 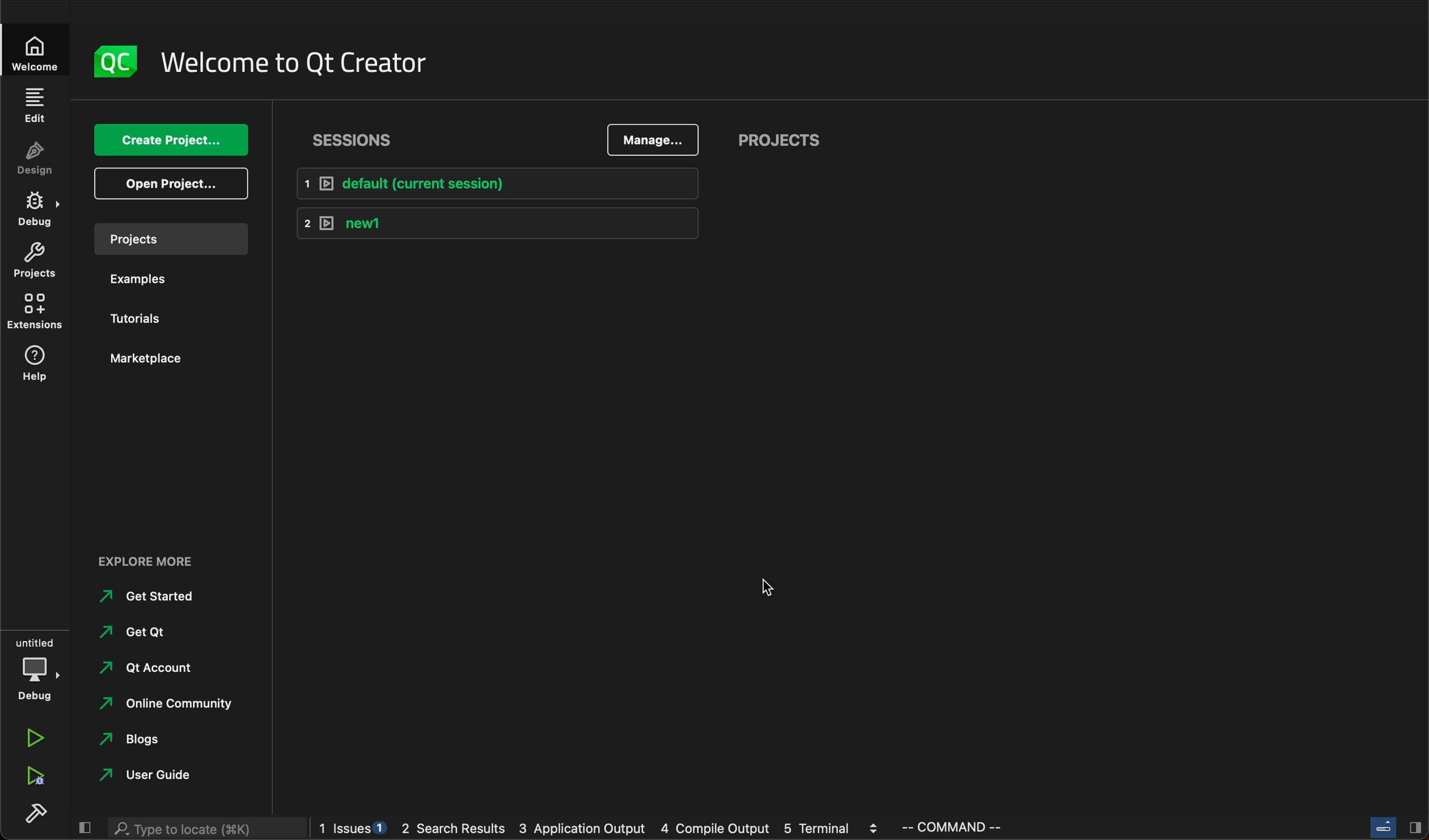 I want to click on welcome, so click(x=33, y=51).